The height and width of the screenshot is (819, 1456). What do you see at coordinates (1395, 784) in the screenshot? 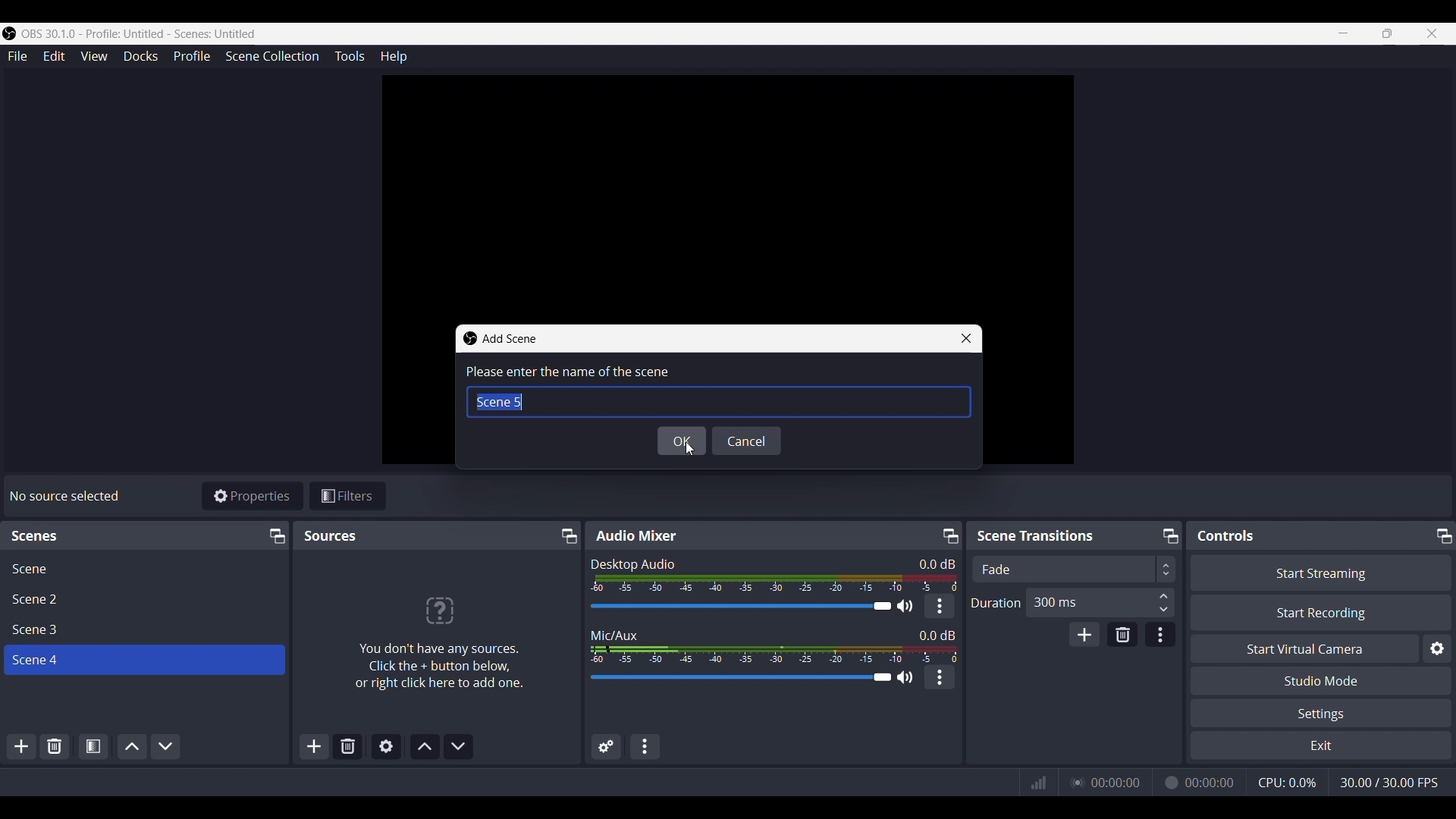
I see `30.00/30.00 FPS` at bounding box center [1395, 784].